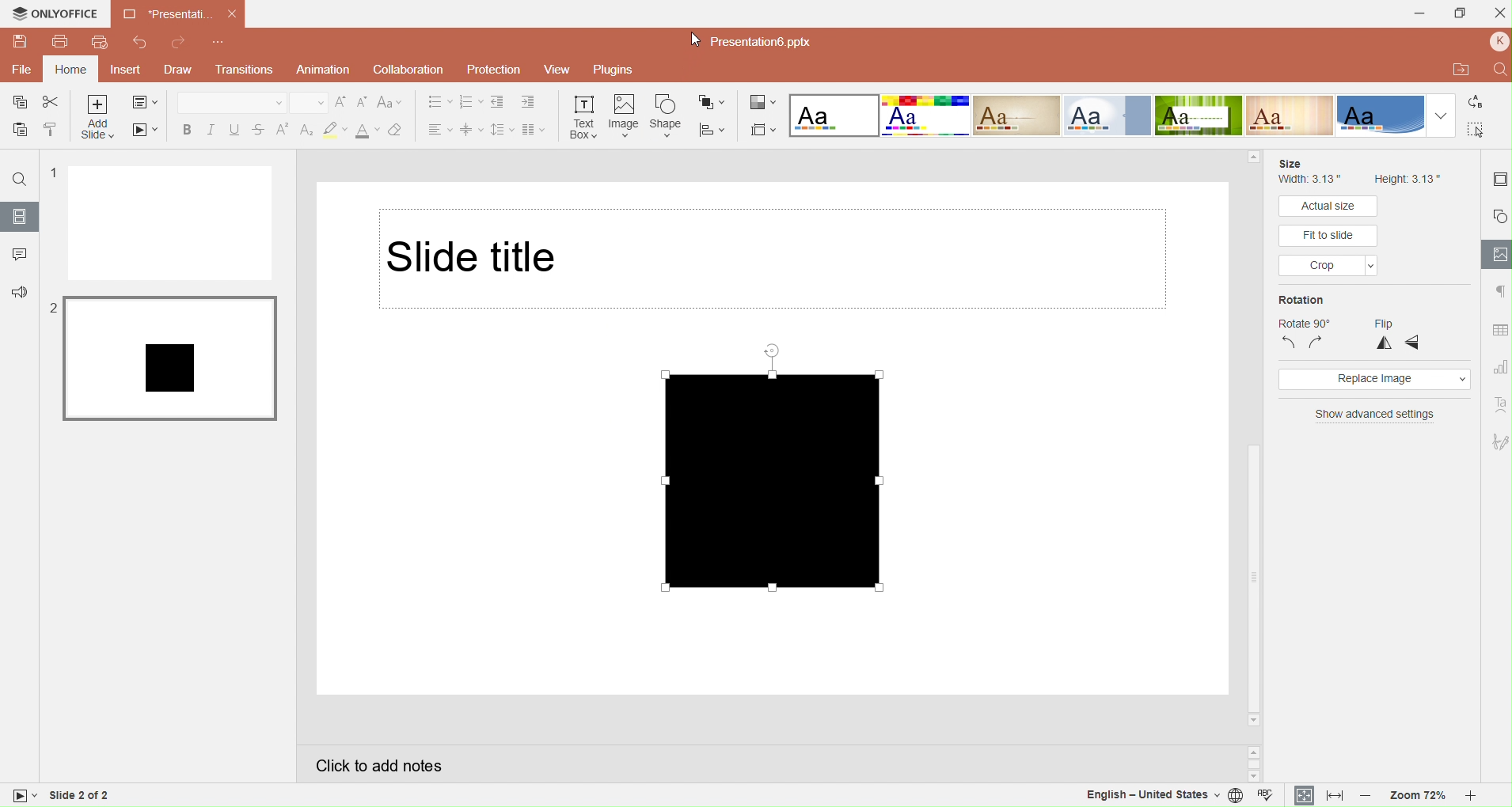 This screenshot has height=807, width=1512. I want to click on Bold, so click(185, 128).